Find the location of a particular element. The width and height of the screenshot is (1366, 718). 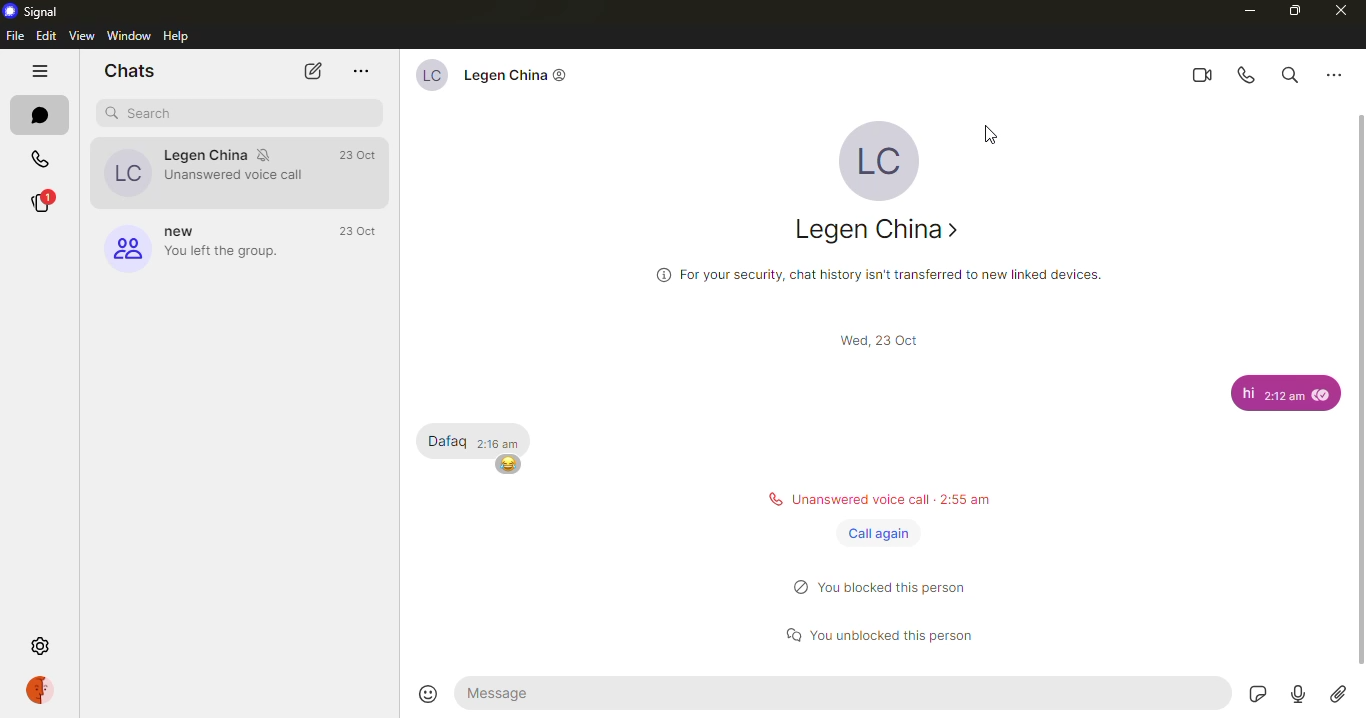

group is located at coordinates (204, 249).